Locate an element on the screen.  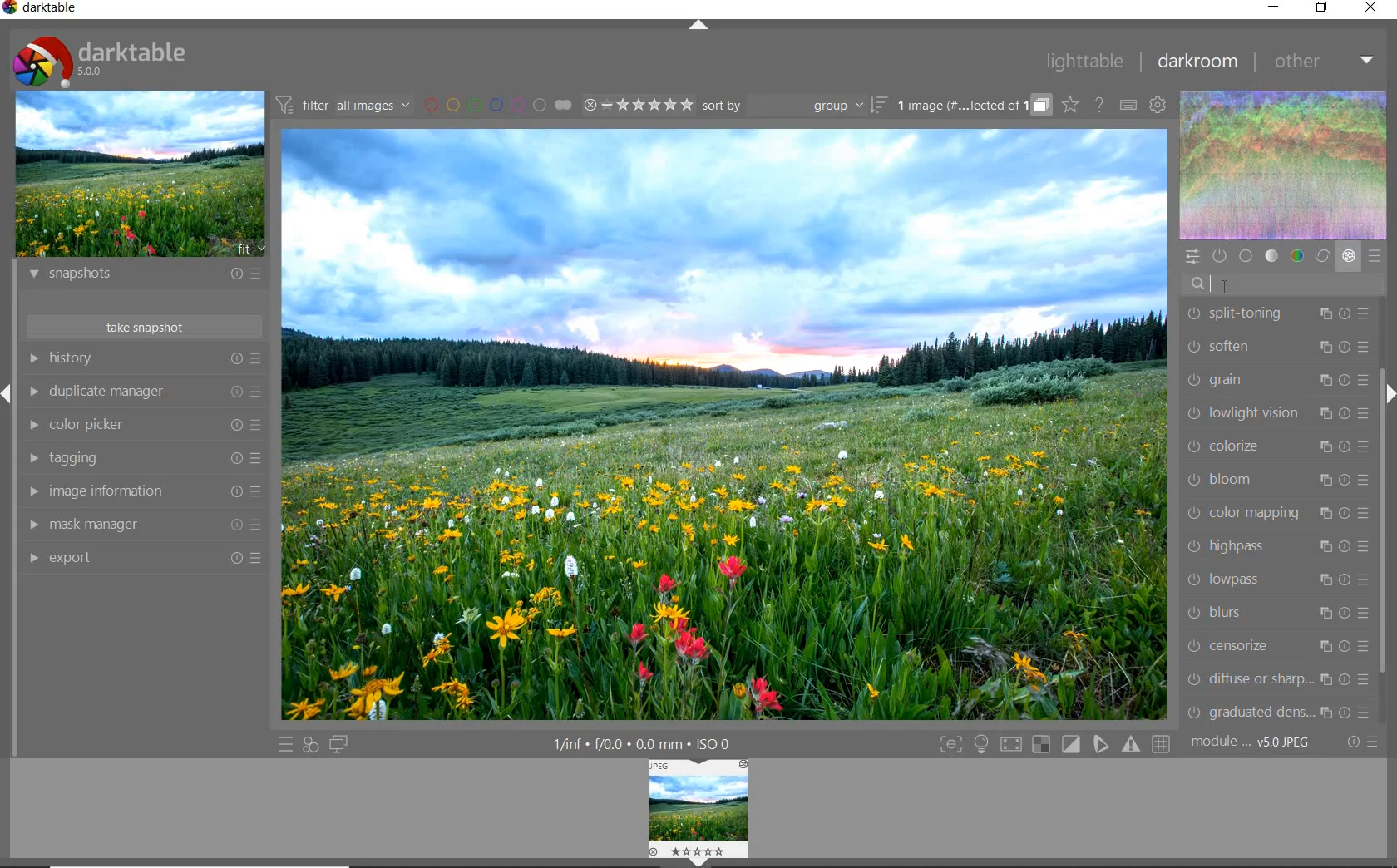
color is located at coordinates (1296, 256).